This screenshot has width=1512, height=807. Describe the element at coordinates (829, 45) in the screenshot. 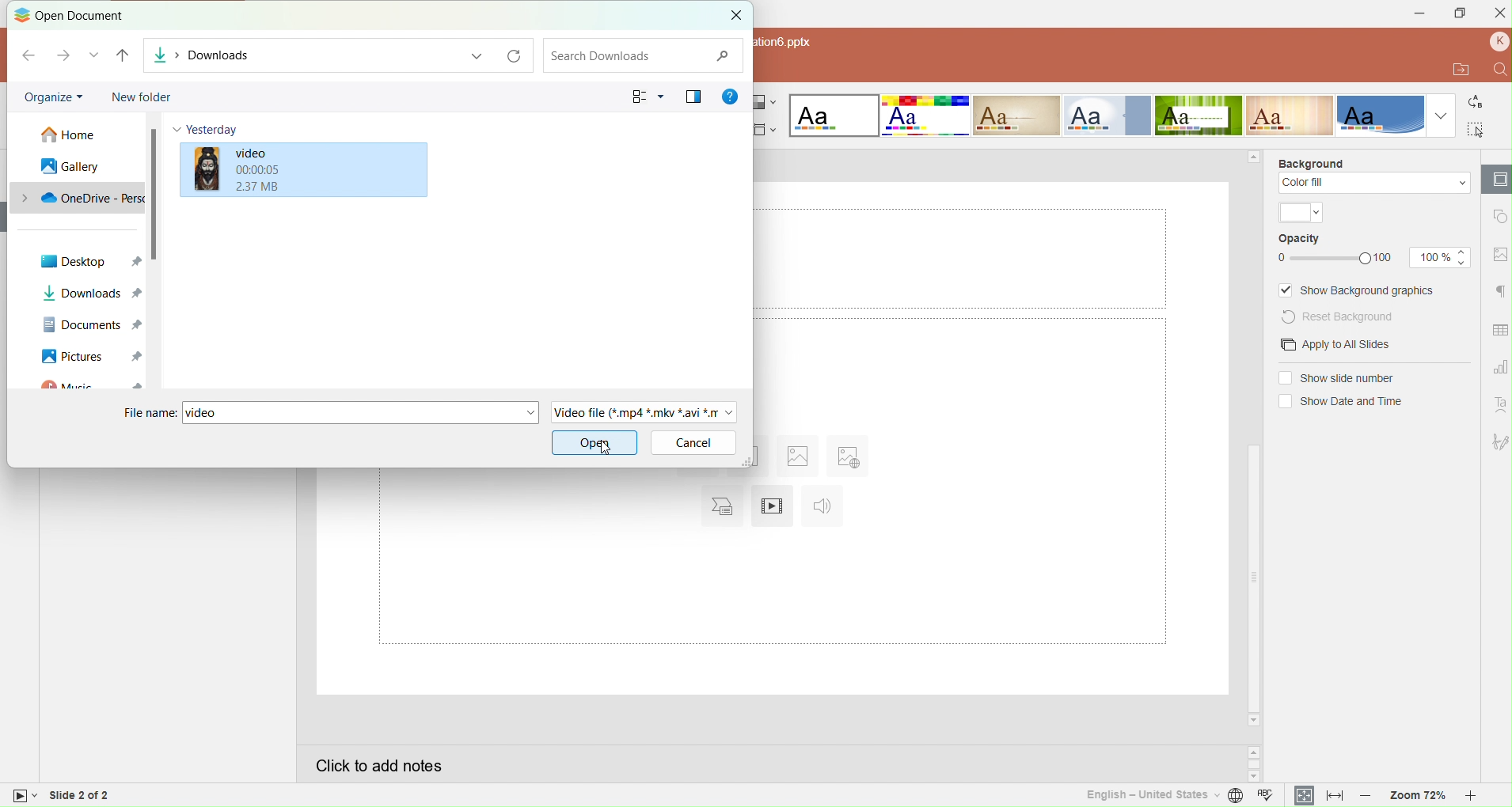

I see `text` at that location.